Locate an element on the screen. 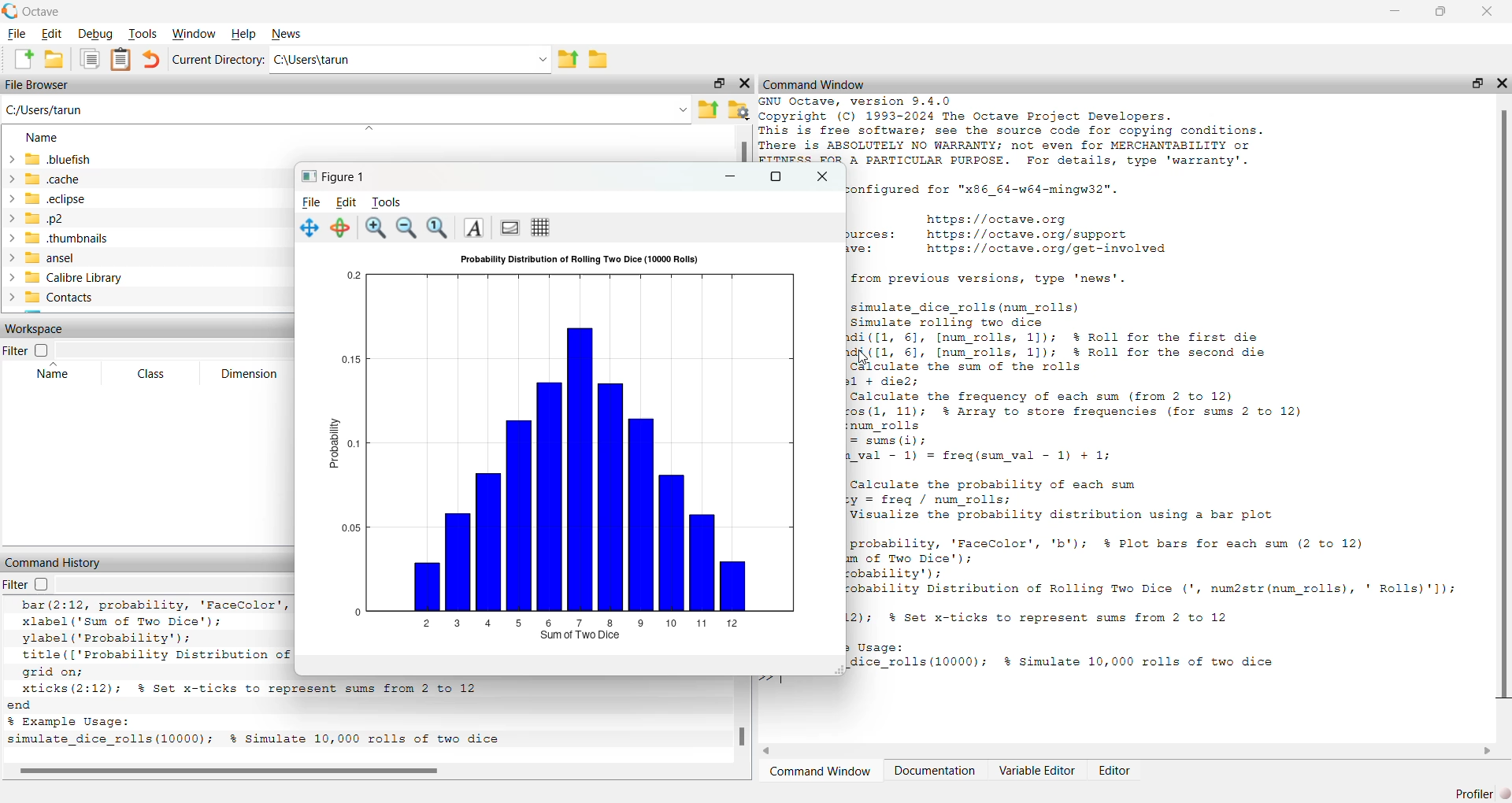 The height and width of the screenshot is (803, 1512). chart is located at coordinates (562, 450).